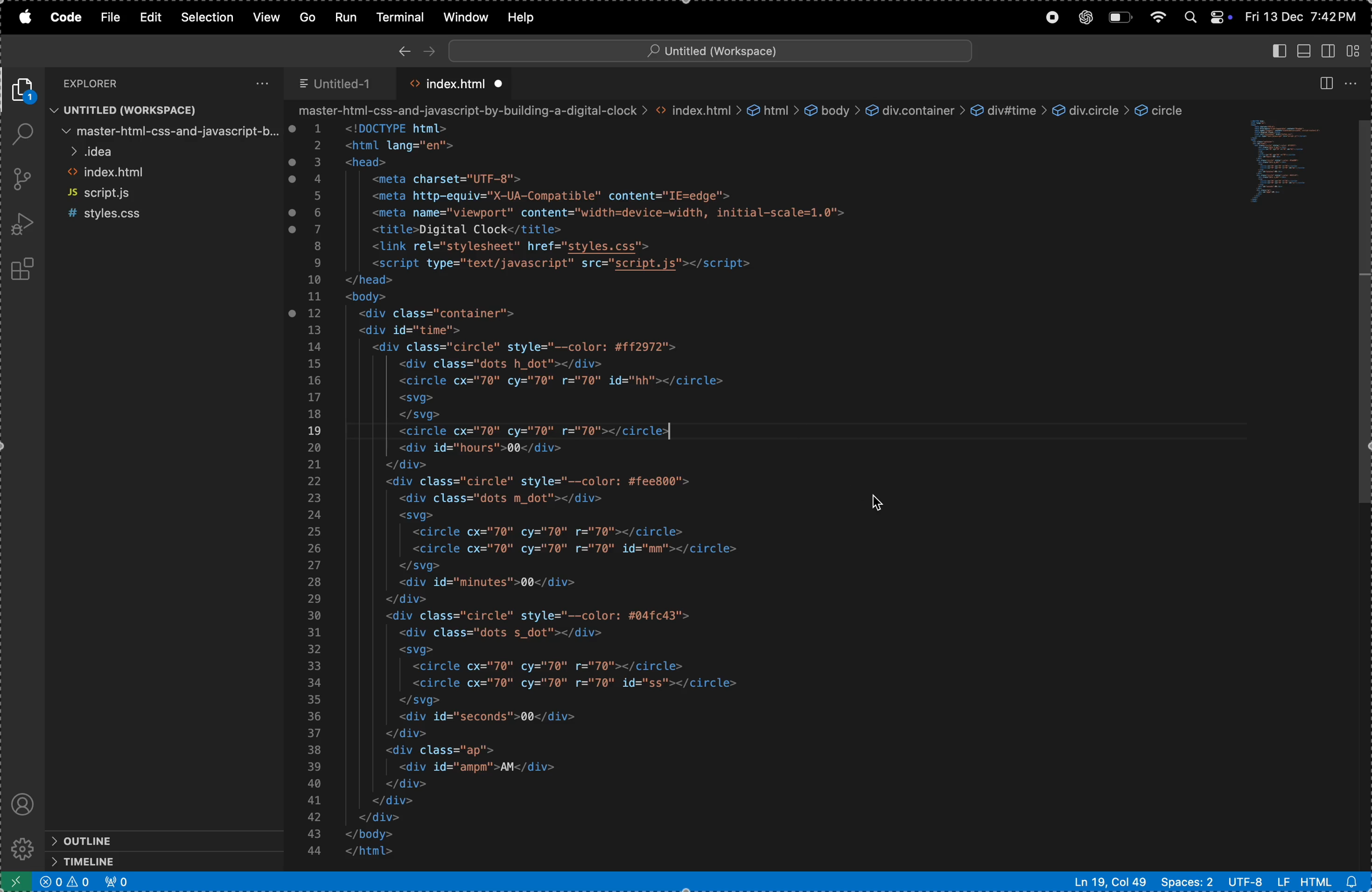  What do you see at coordinates (24, 271) in the screenshot?
I see `extensions` at bounding box center [24, 271].